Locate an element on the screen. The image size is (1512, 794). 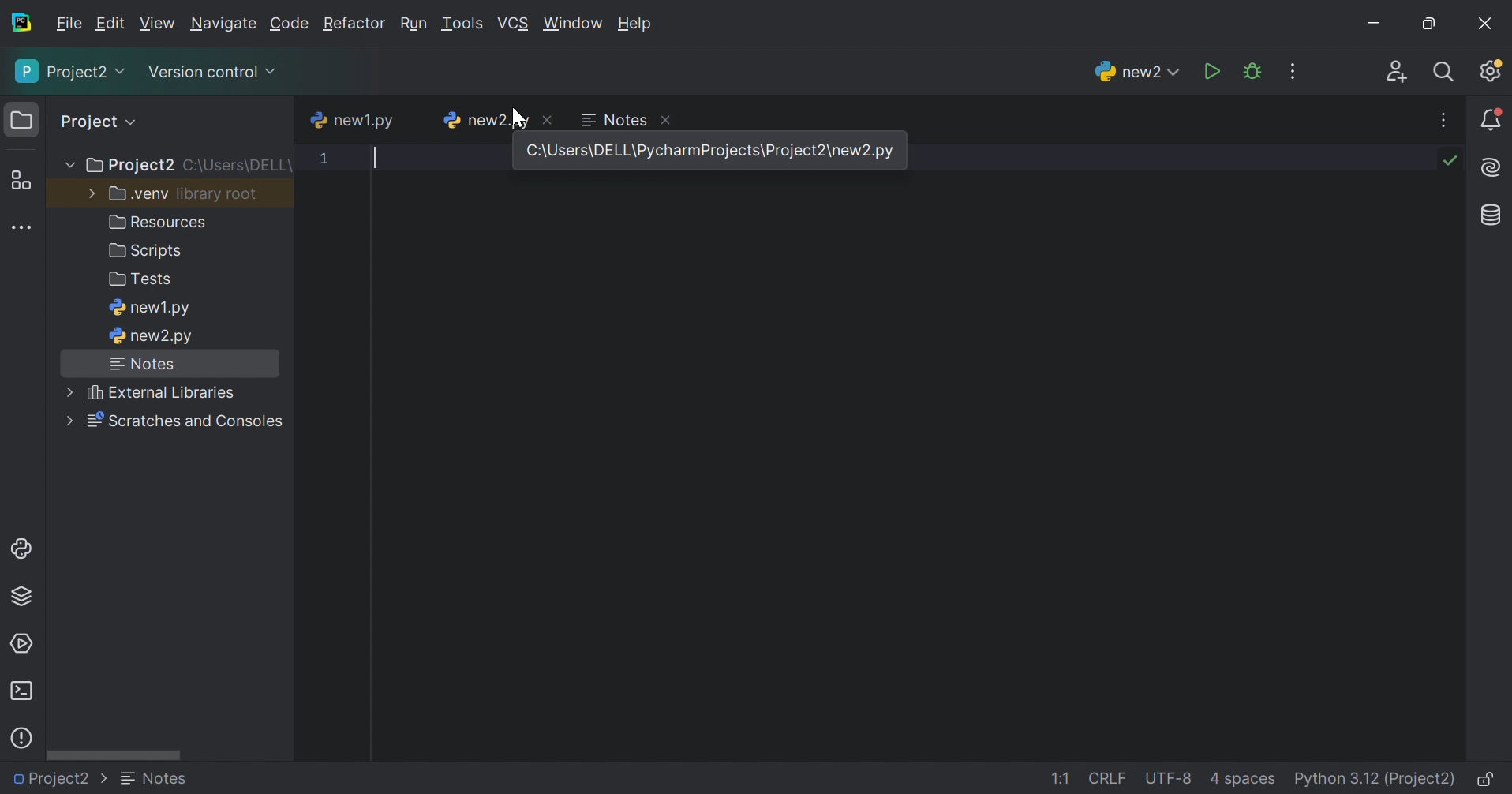
Project2 is located at coordinates (128, 167).